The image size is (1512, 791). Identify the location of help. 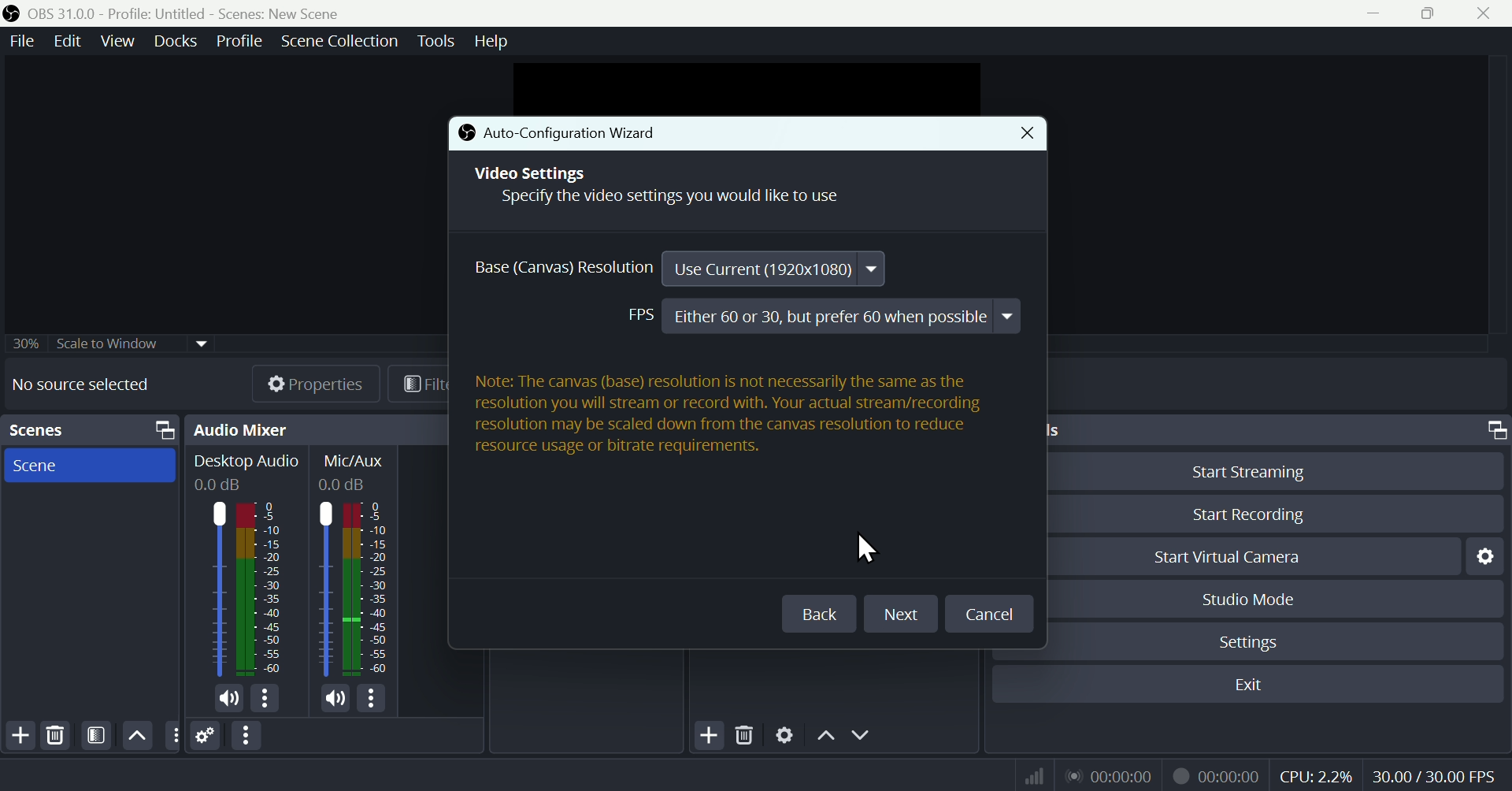
(494, 39).